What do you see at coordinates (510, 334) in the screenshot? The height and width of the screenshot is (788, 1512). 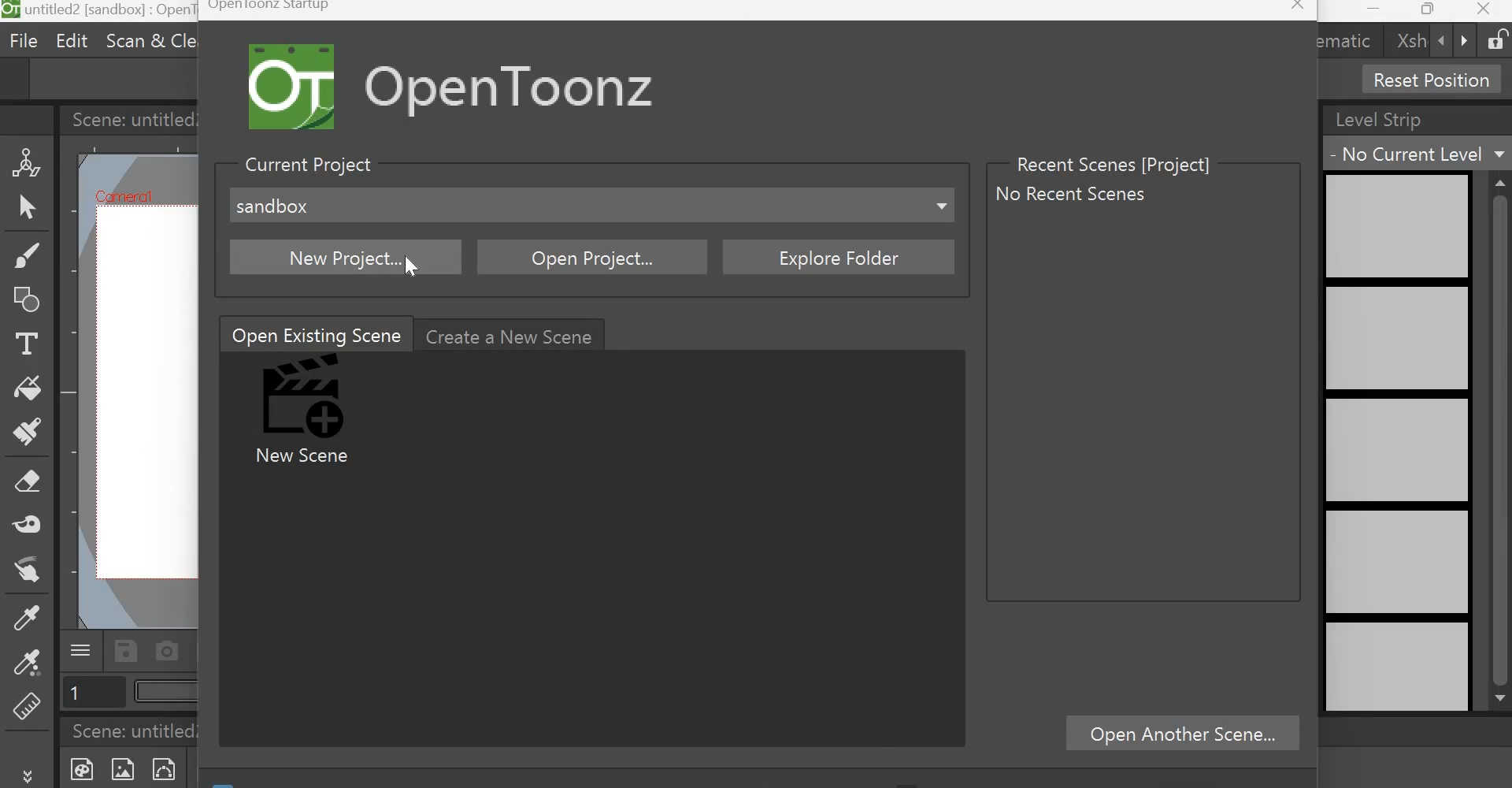 I see `Create a new scene` at bounding box center [510, 334].